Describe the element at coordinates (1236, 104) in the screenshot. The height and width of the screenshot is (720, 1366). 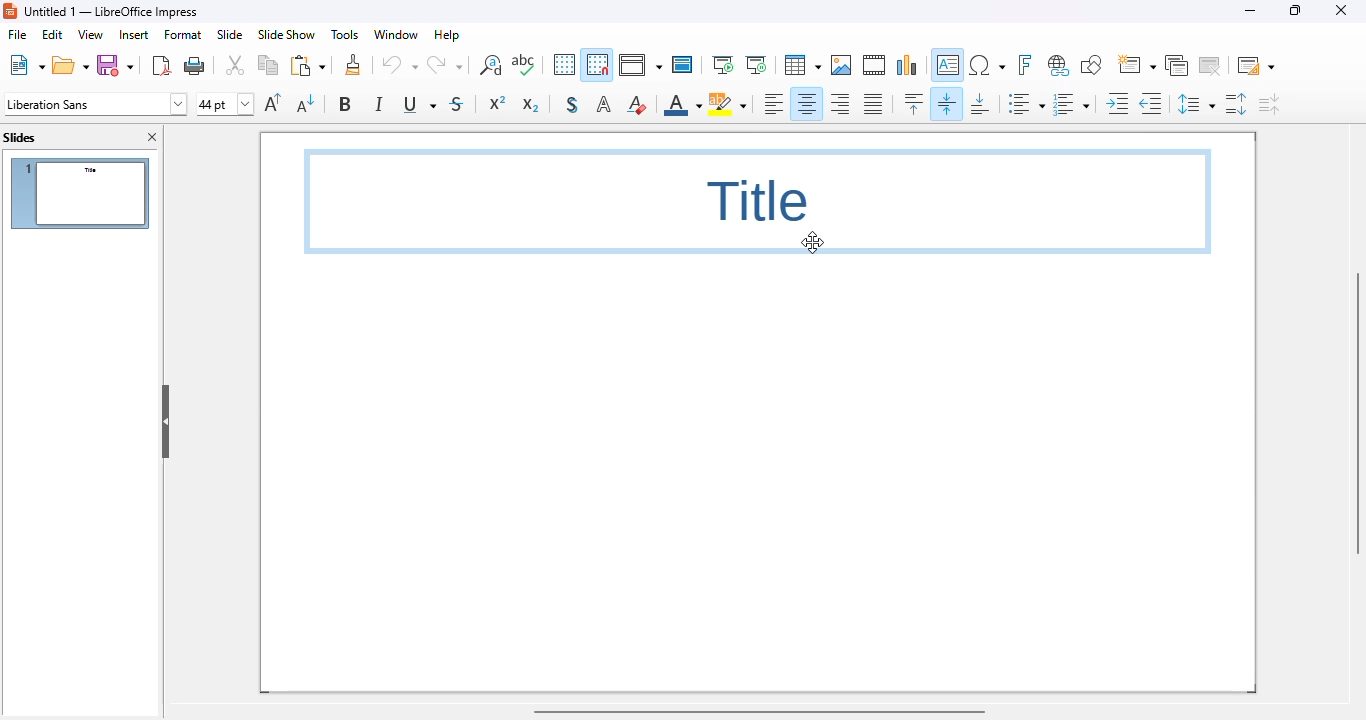
I see `increase paragraph spacing` at that location.